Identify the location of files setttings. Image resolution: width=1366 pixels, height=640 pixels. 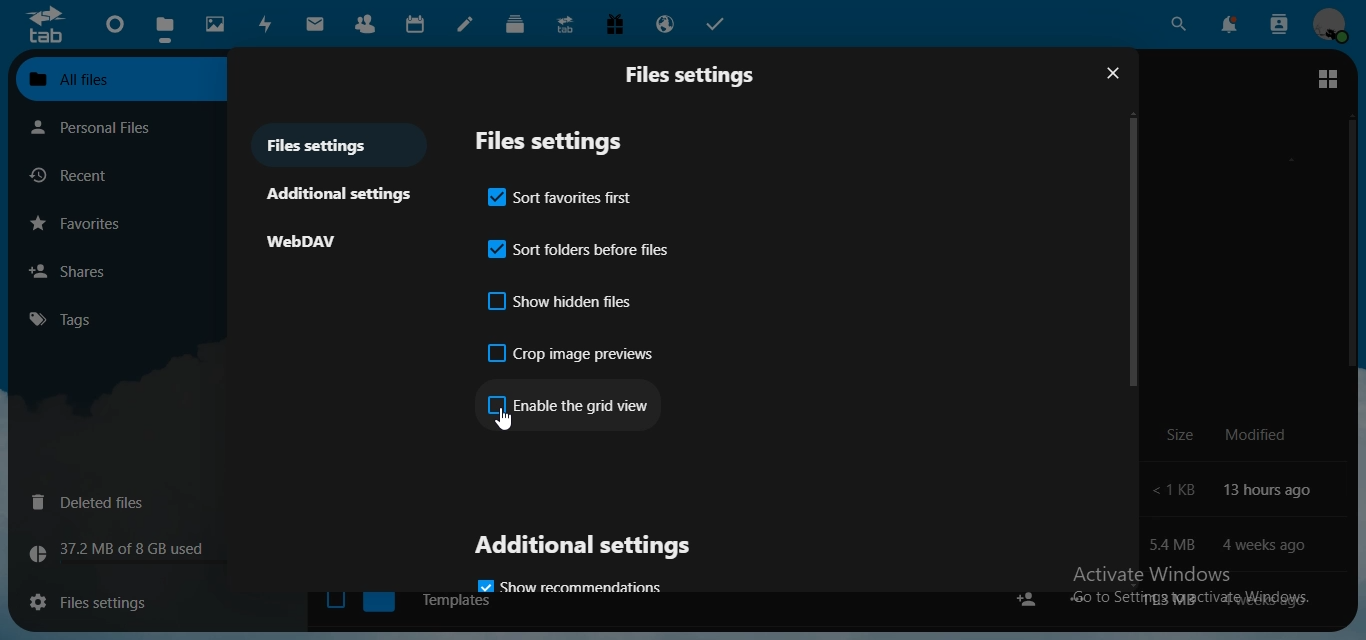
(563, 141).